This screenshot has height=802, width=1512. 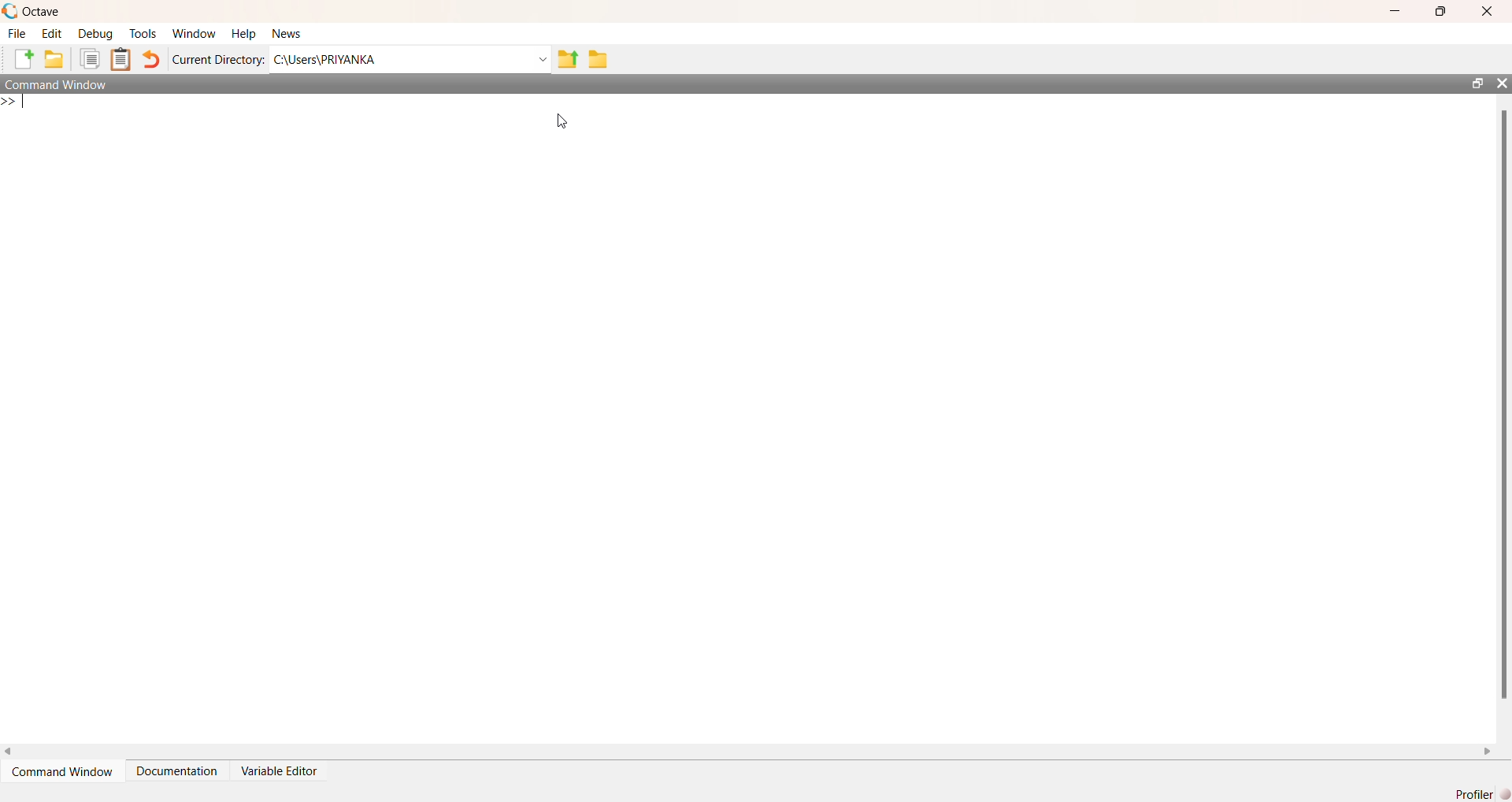 What do you see at coordinates (51, 35) in the screenshot?
I see `edit` at bounding box center [51, 35].